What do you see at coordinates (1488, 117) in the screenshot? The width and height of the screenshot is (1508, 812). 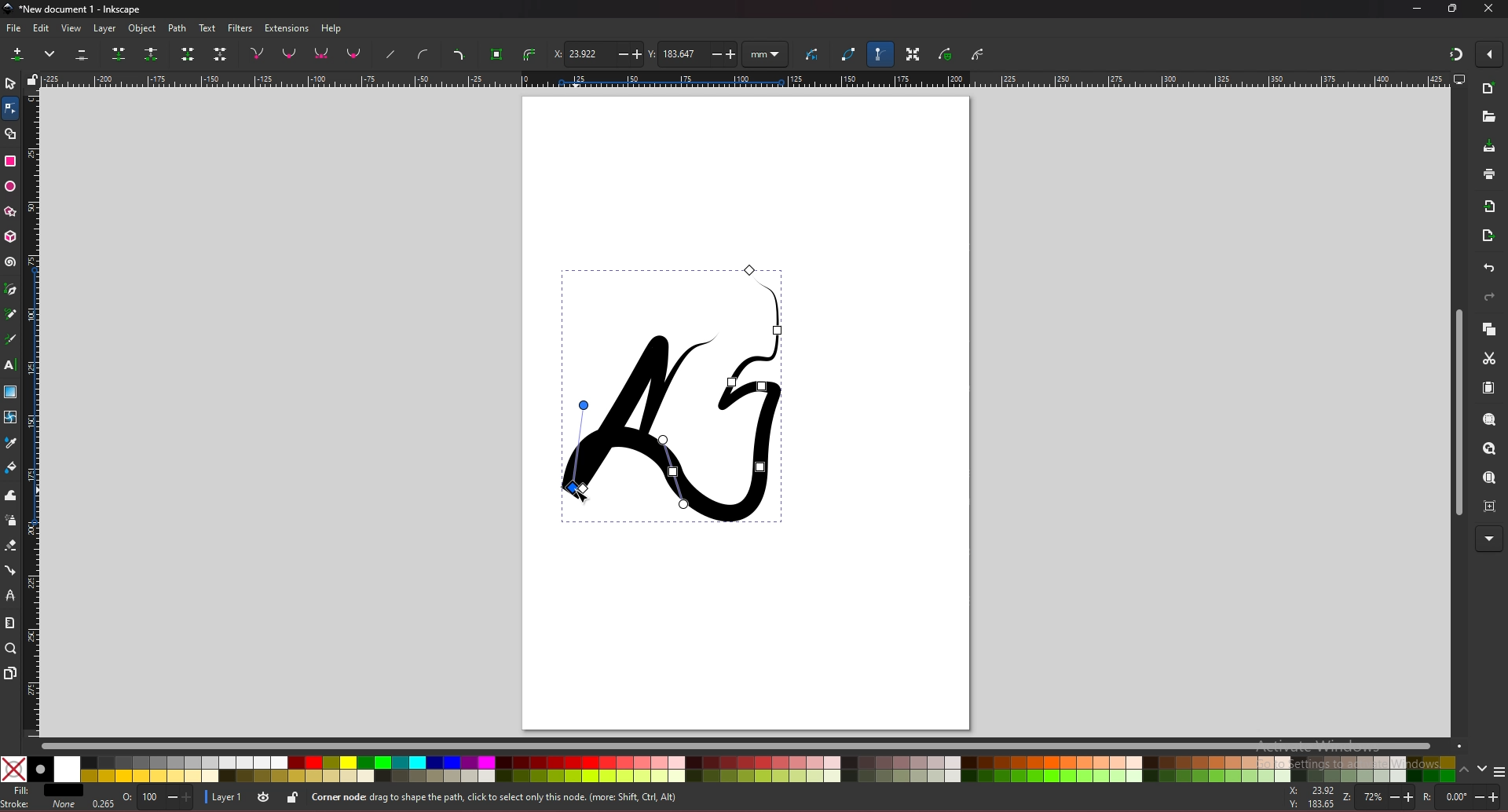 I see `open` at bounding box center [1488, 117].